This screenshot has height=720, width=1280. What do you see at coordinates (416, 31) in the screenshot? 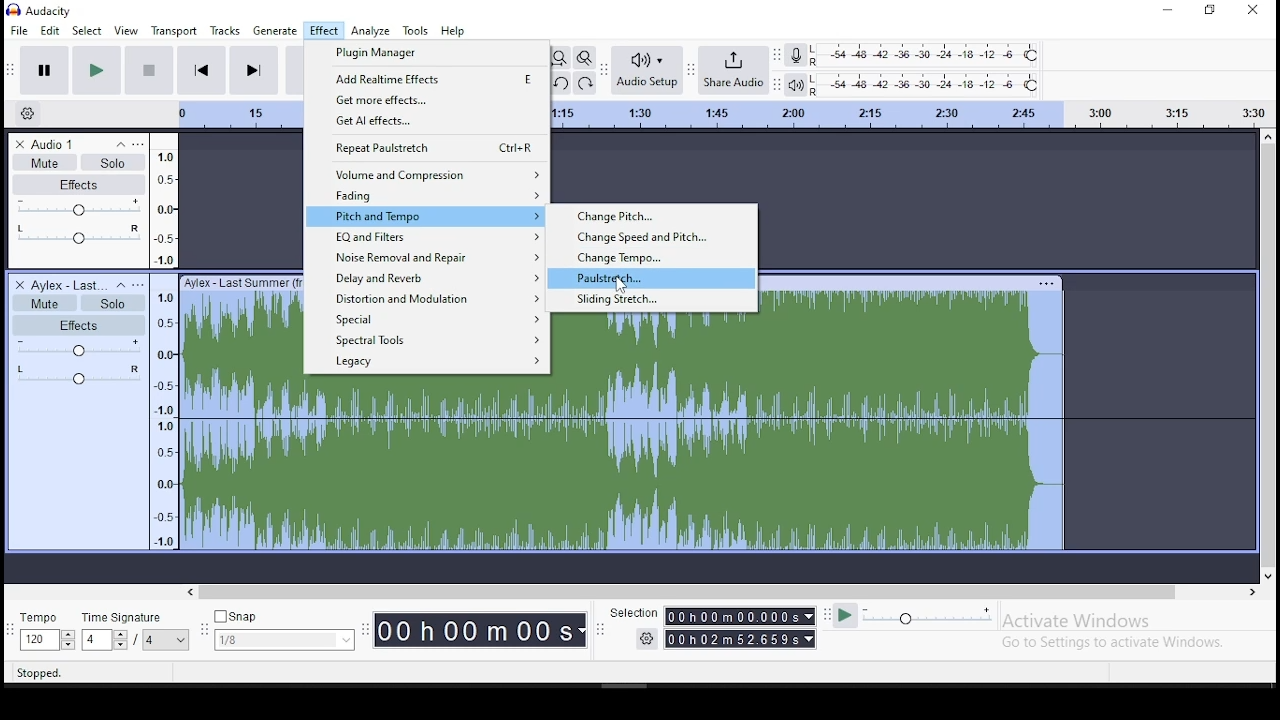
I see `tools` at bounding box center [416, 31].